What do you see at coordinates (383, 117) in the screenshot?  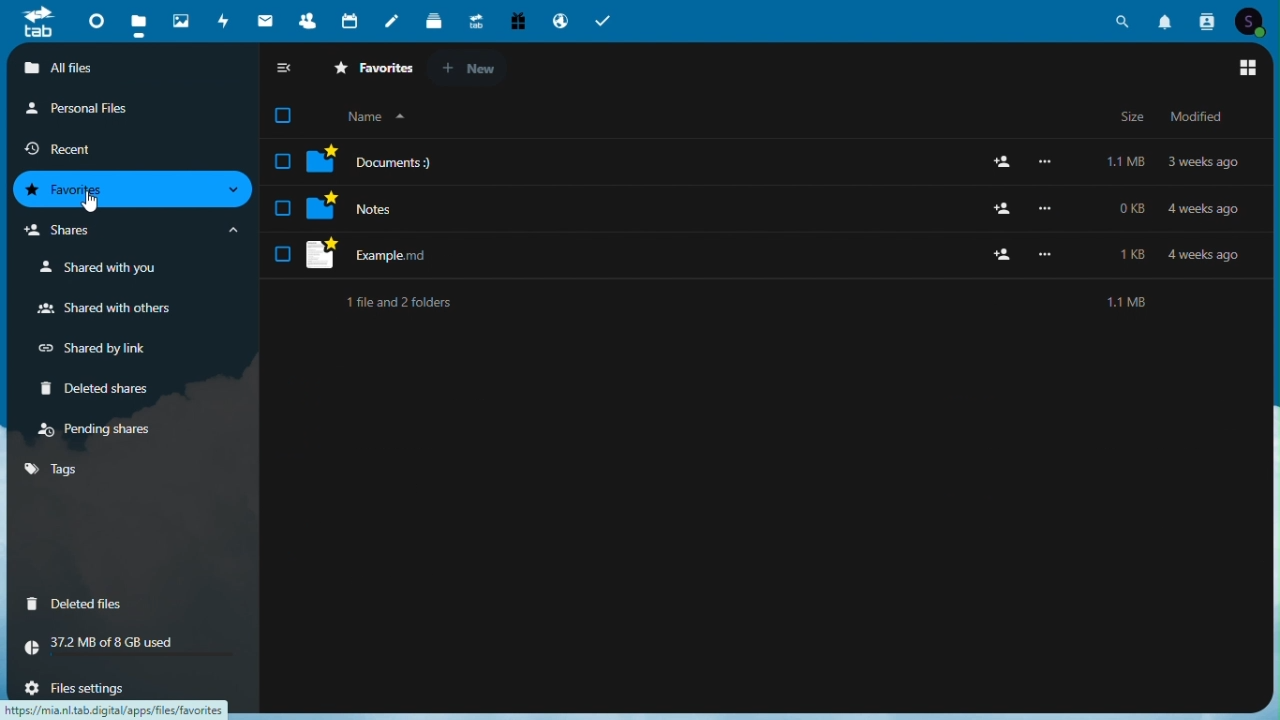 I see `Organise by name` at bounding box center [383, 117].